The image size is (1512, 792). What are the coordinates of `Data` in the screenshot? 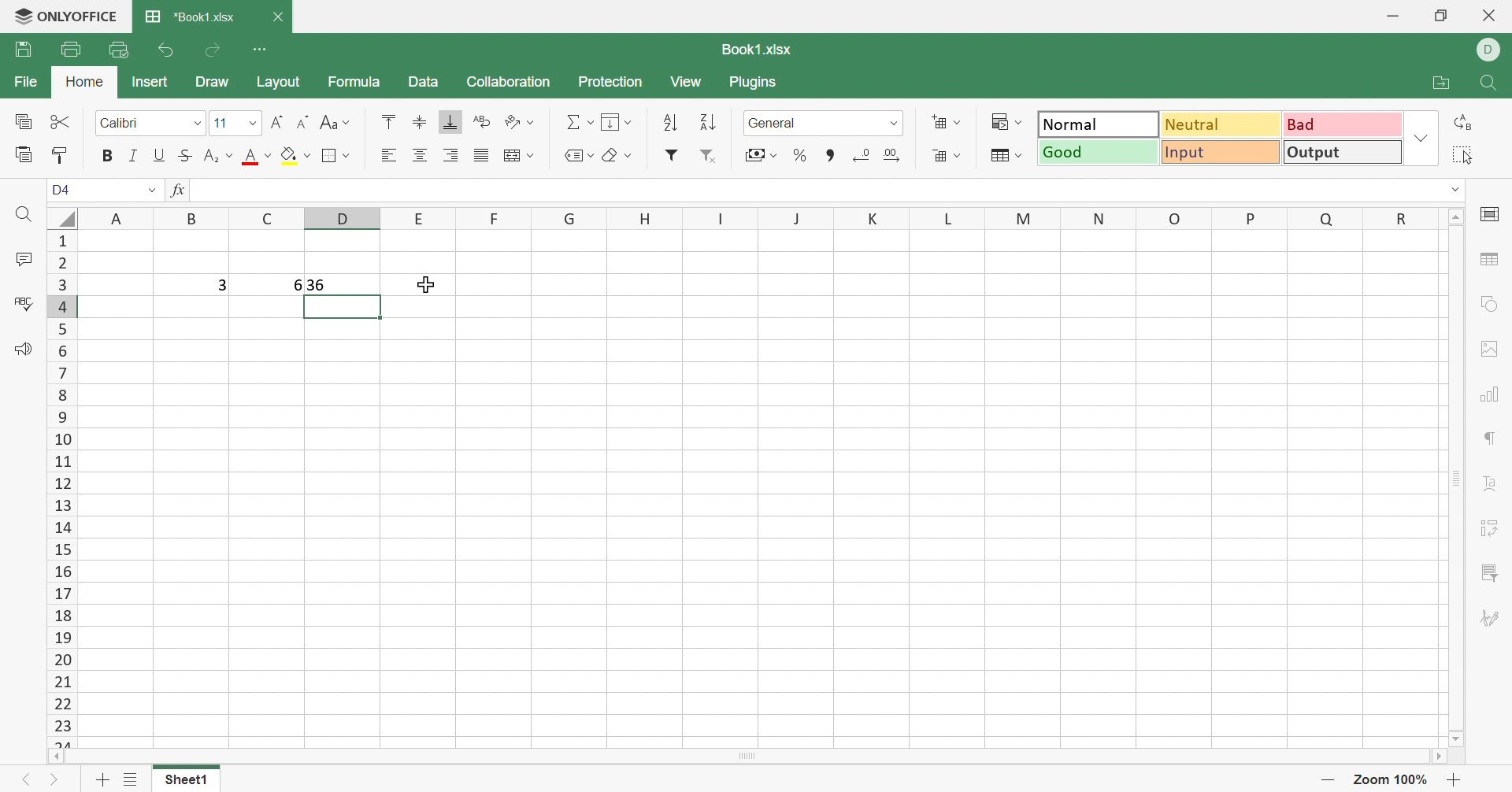 It's located at (421, 81).